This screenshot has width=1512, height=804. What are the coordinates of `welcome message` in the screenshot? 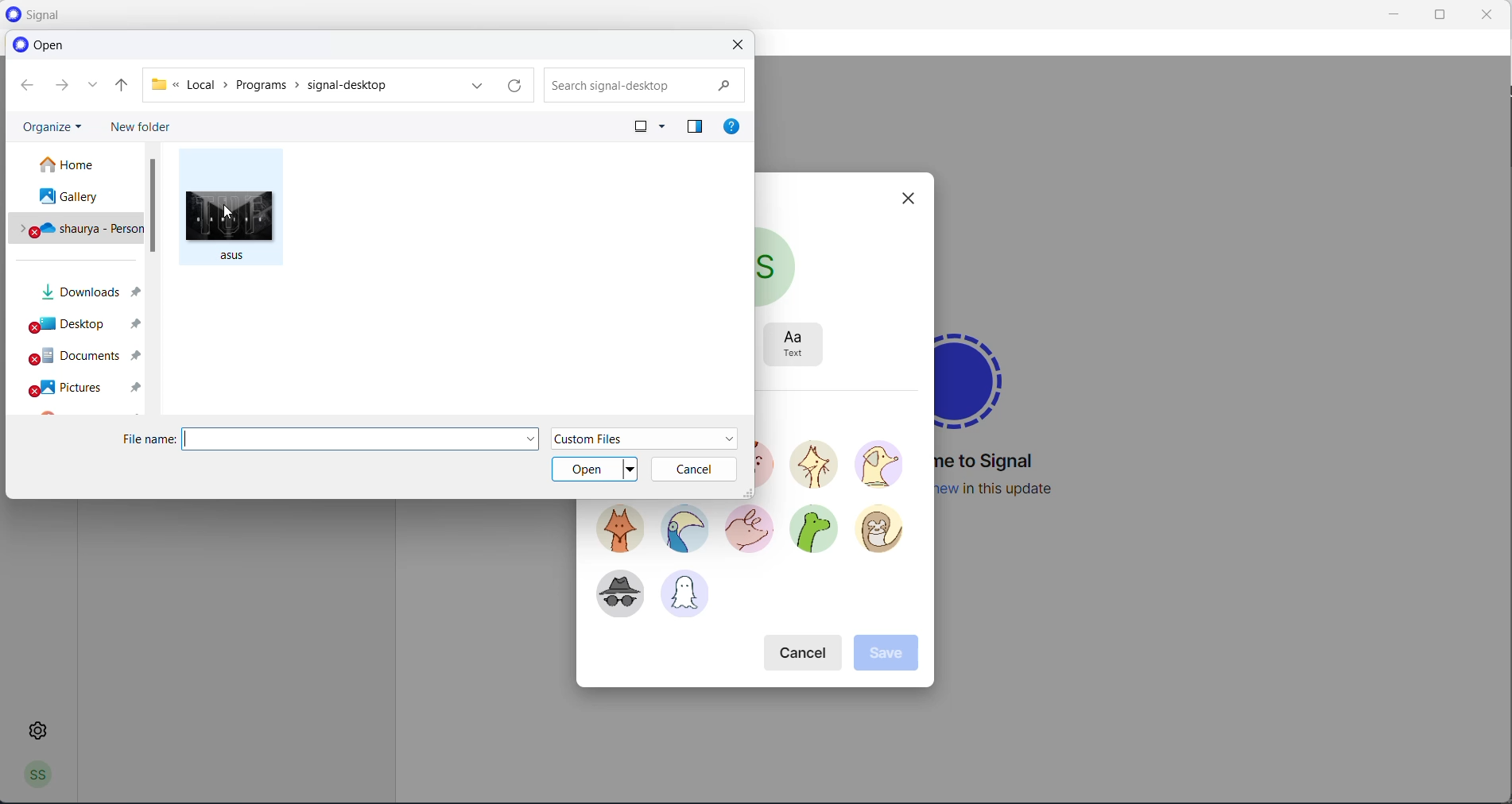 It's located at (993, 462).